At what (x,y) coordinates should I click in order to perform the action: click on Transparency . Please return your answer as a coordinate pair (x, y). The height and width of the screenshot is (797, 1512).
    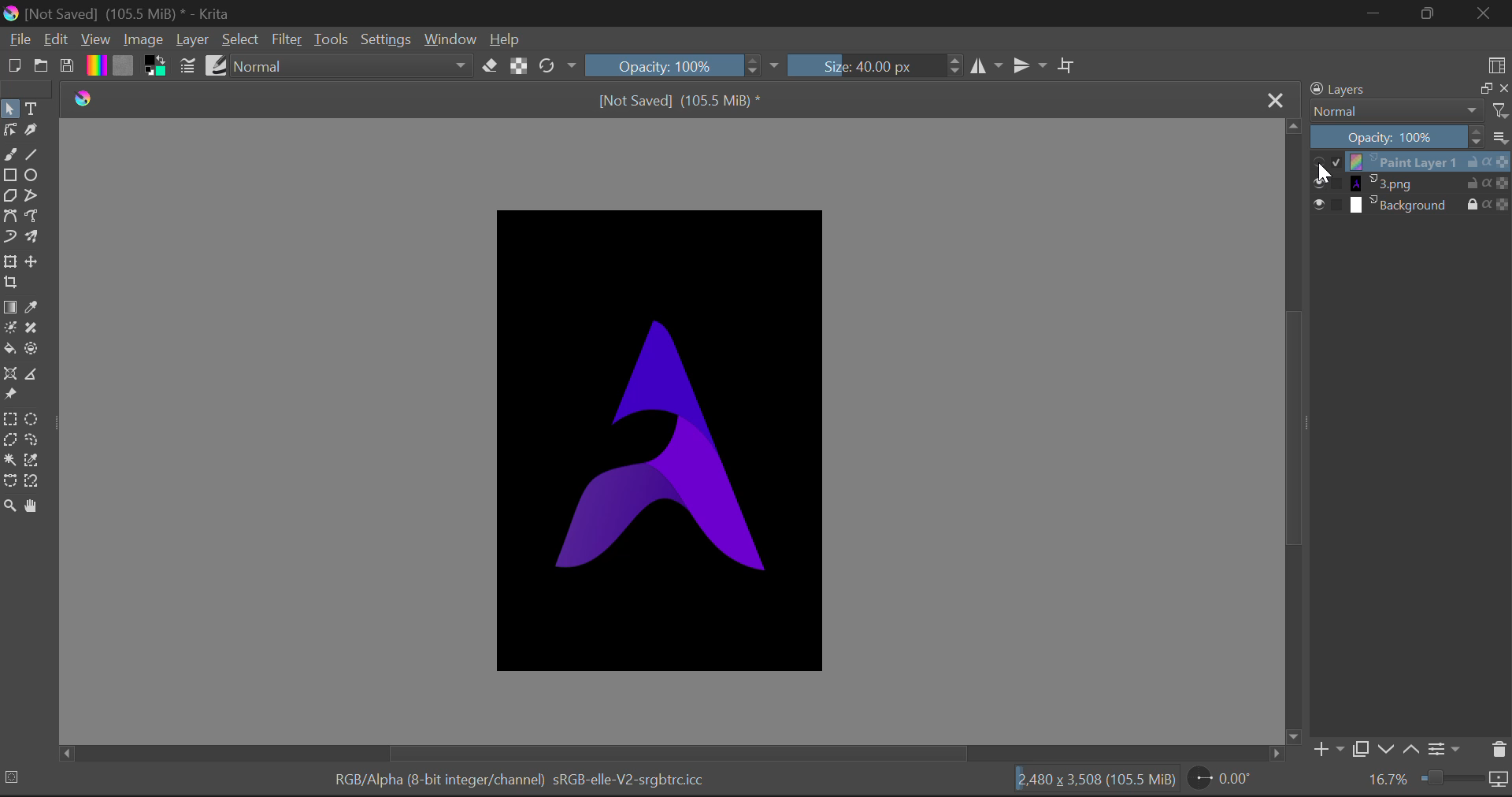
    Looking at the image, I should click on (1503, 183).